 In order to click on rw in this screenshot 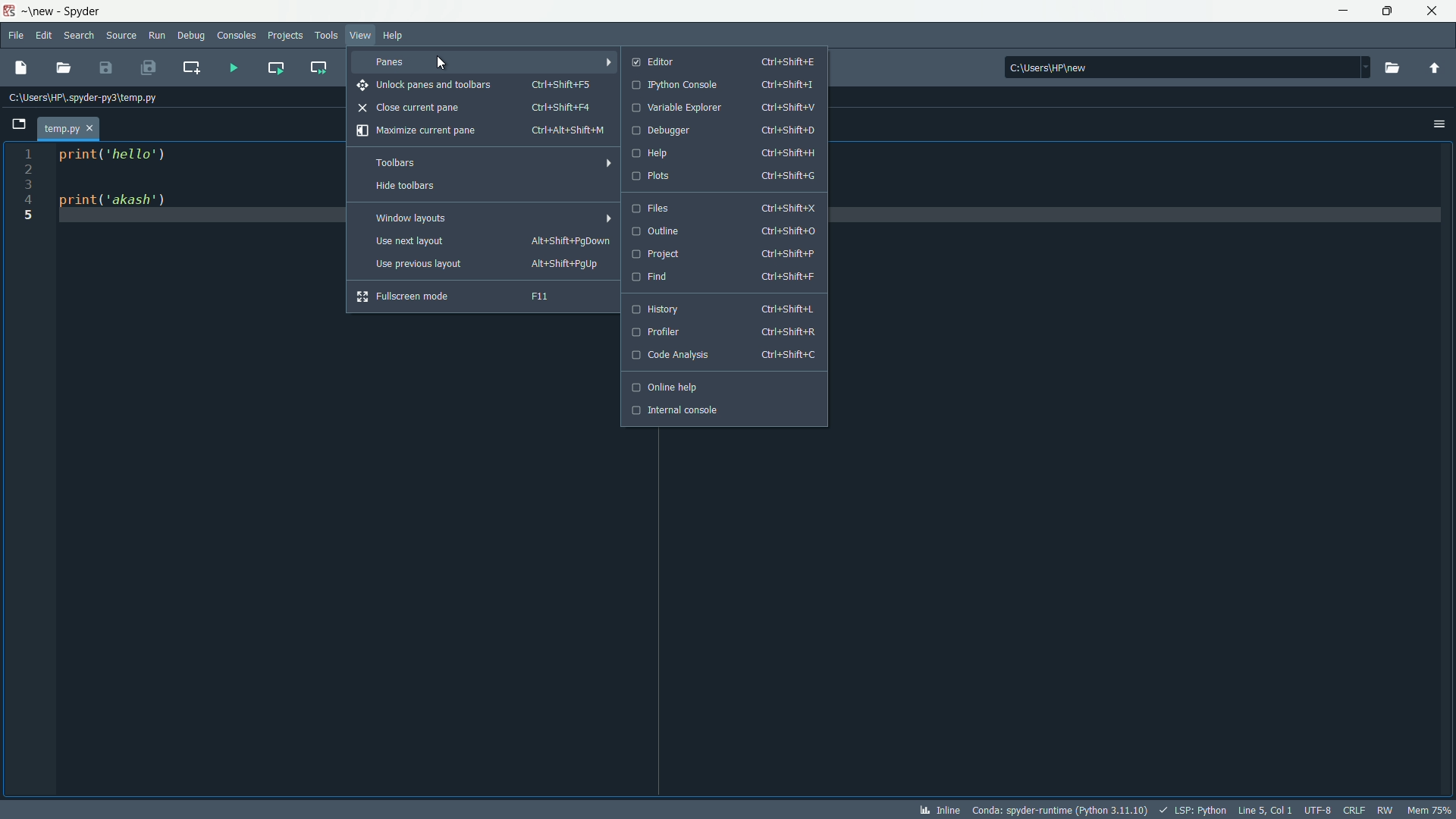, I will do `click(1385, 810)`.